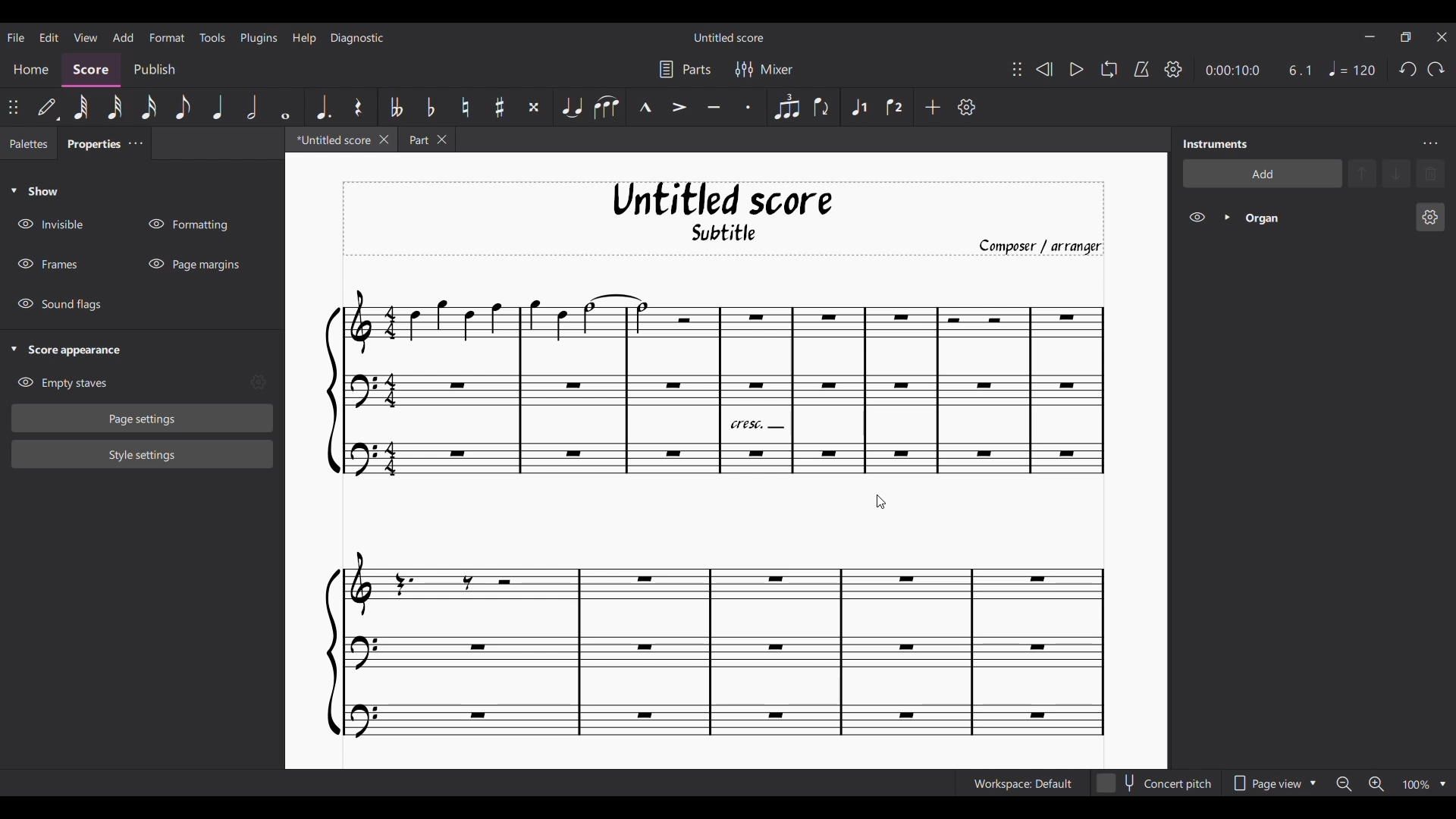 Image resolution: width=1456 pixels, height=819 pixels. Describe the element at coordinates (1077, 70) in the screenshot. I see `Play` at that location.